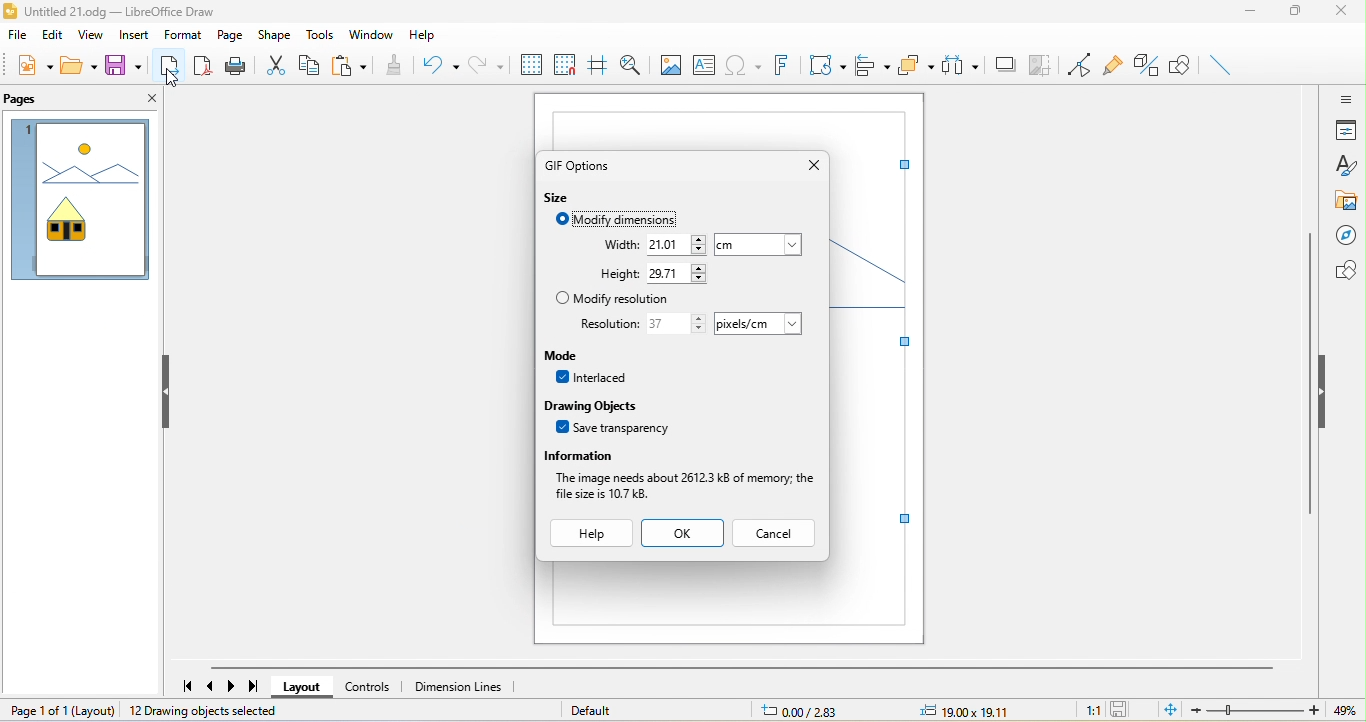  I want to click on pixels/cm, so click(755, 324).